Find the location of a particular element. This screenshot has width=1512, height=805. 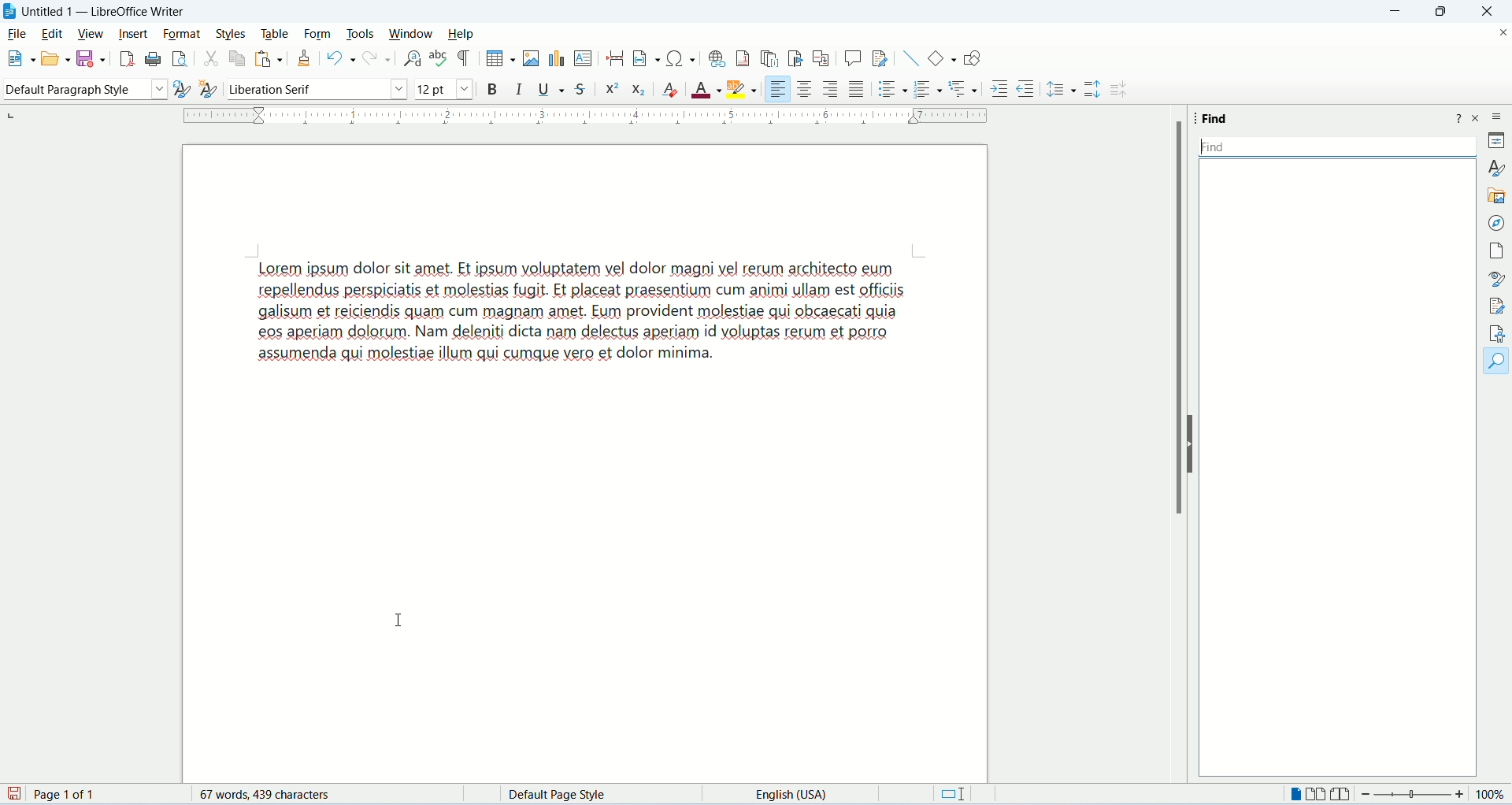

insert chart is located at coordinates (556, 58).